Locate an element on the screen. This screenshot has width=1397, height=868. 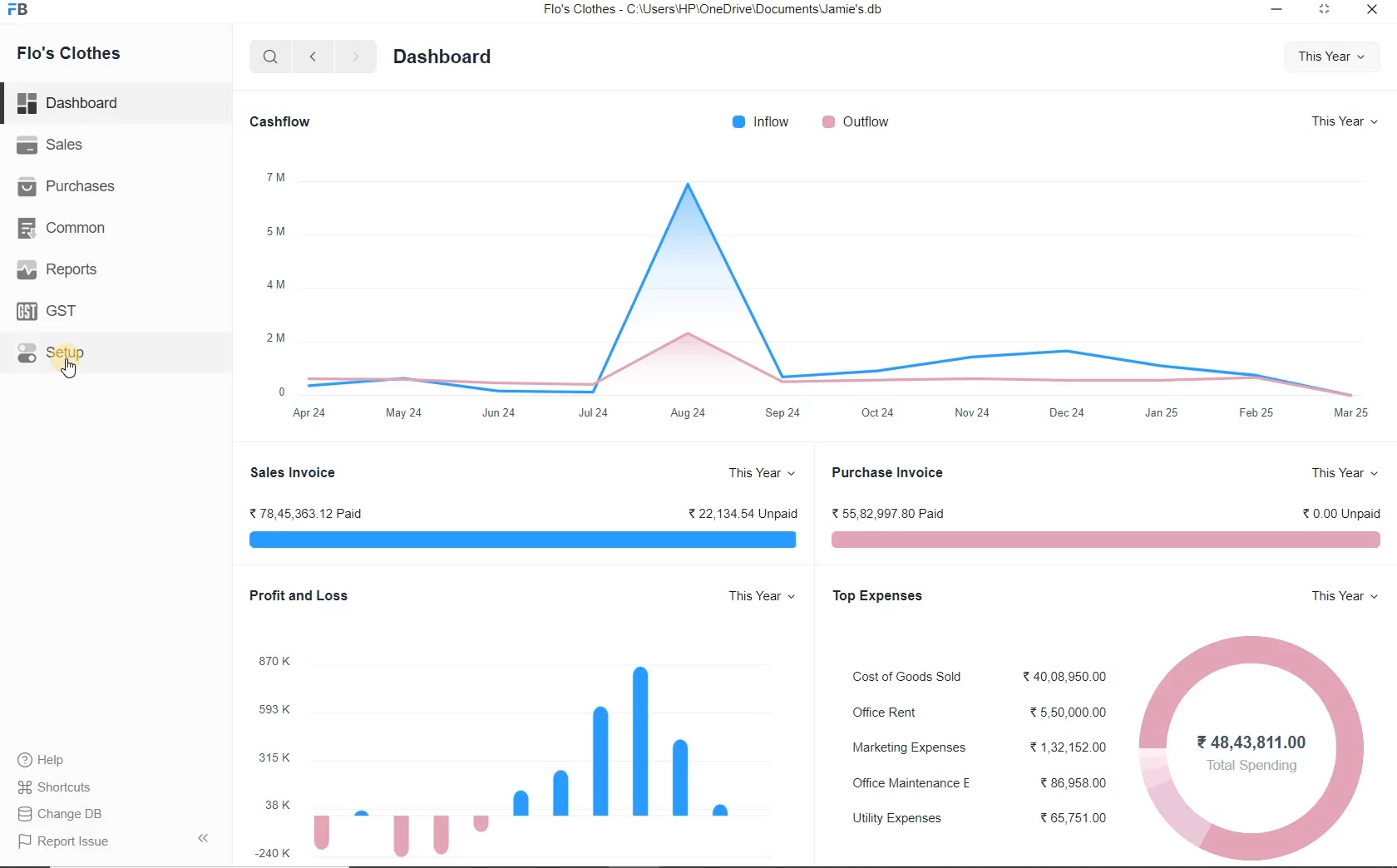
Dashboard is located at coordinates (116, 103).